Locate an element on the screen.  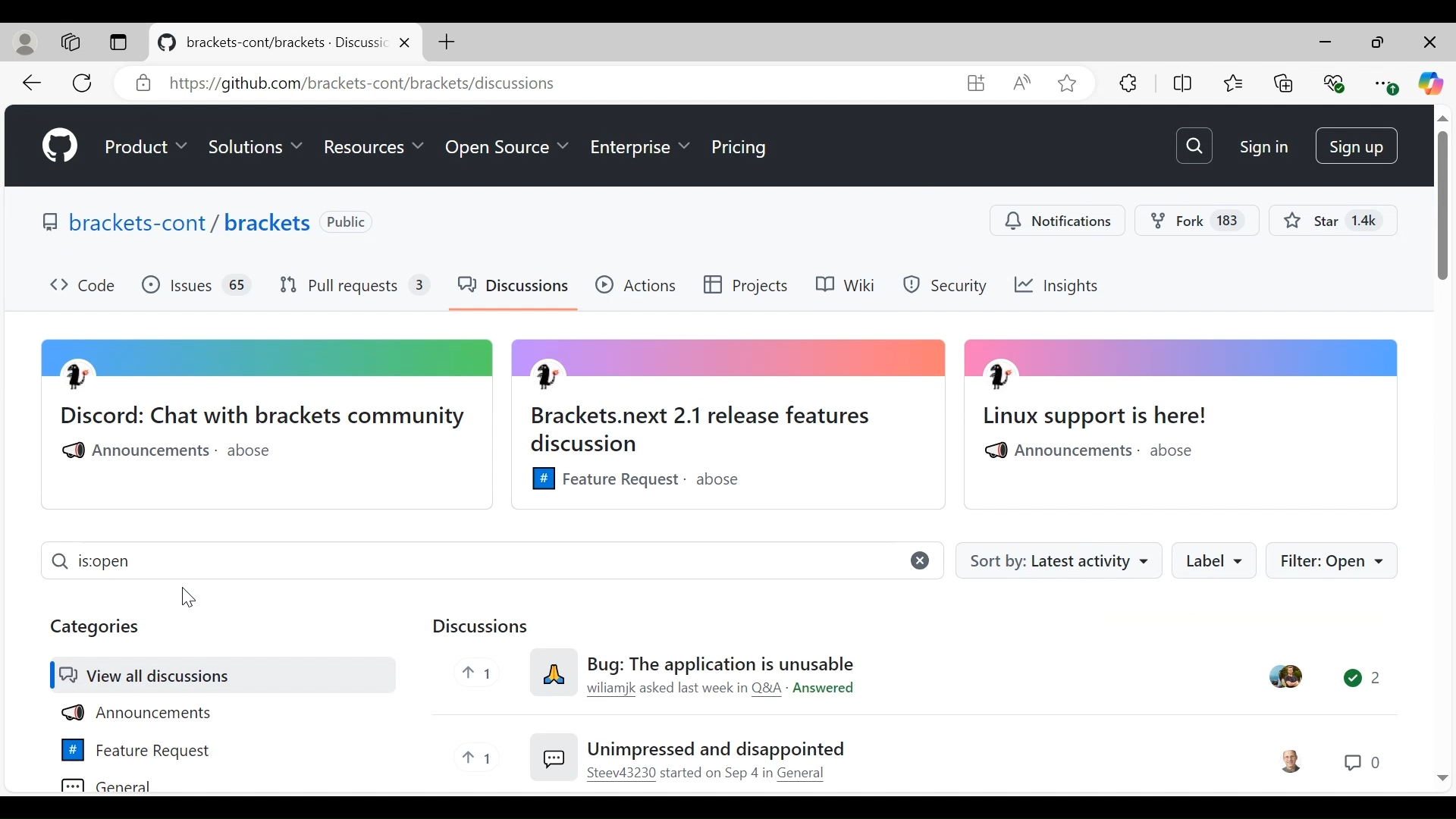
Avatar is located at coordinates (1181, 367).